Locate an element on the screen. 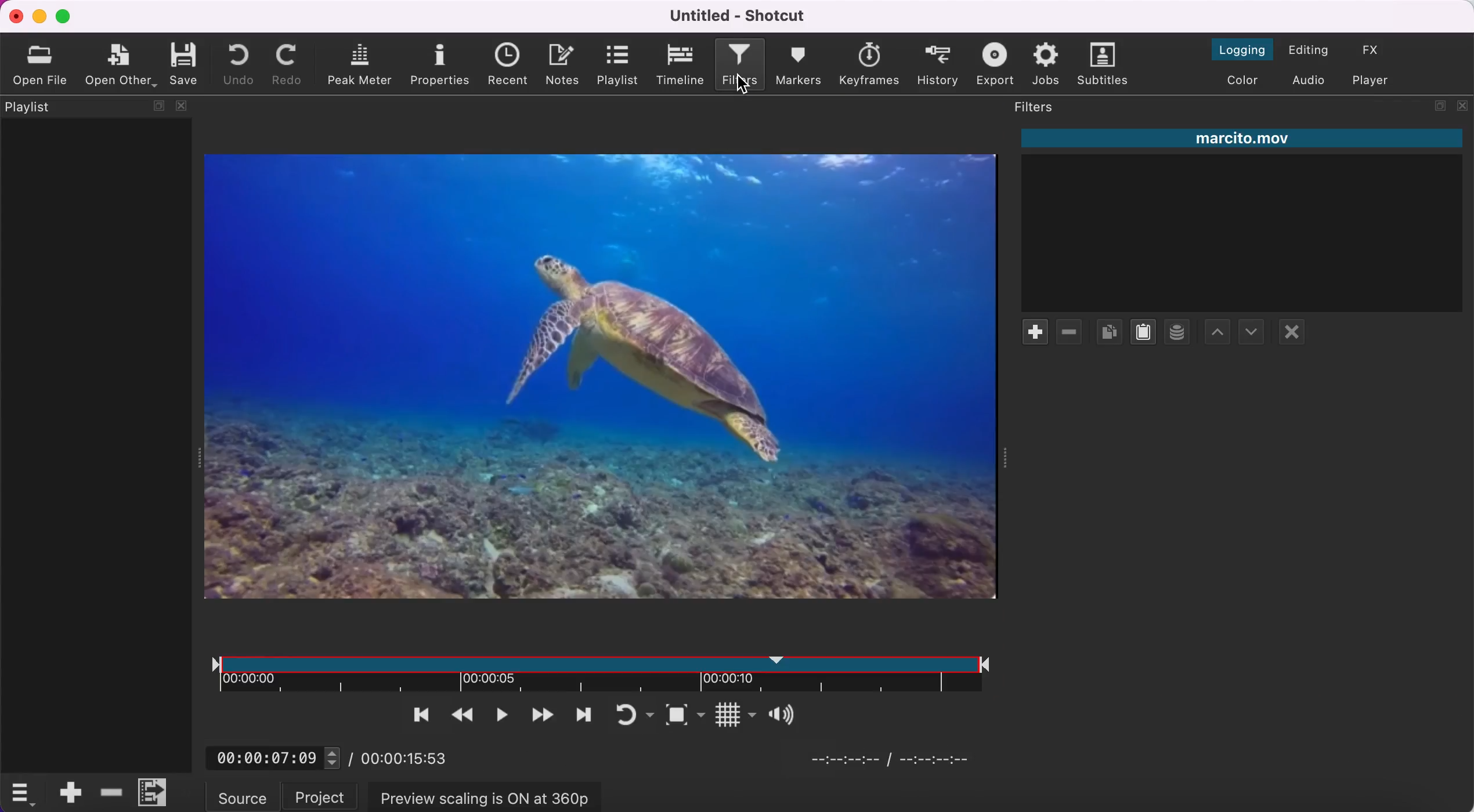 The image size is (1474, 812). switch to the audio layout is located at coordinates (1309, 80).